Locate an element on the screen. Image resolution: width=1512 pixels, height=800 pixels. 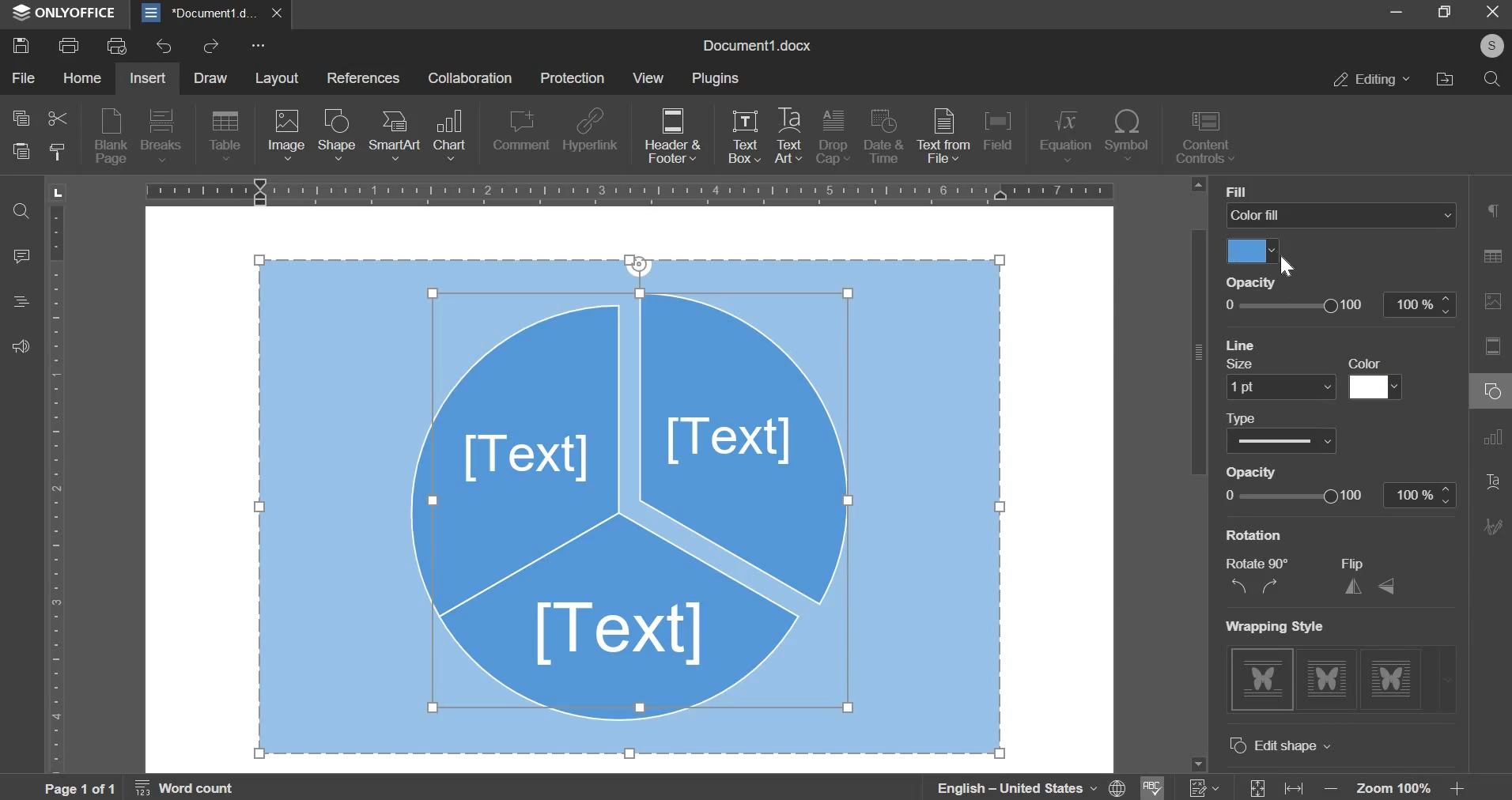
wrapping style is located at coordinates (1350, 681).